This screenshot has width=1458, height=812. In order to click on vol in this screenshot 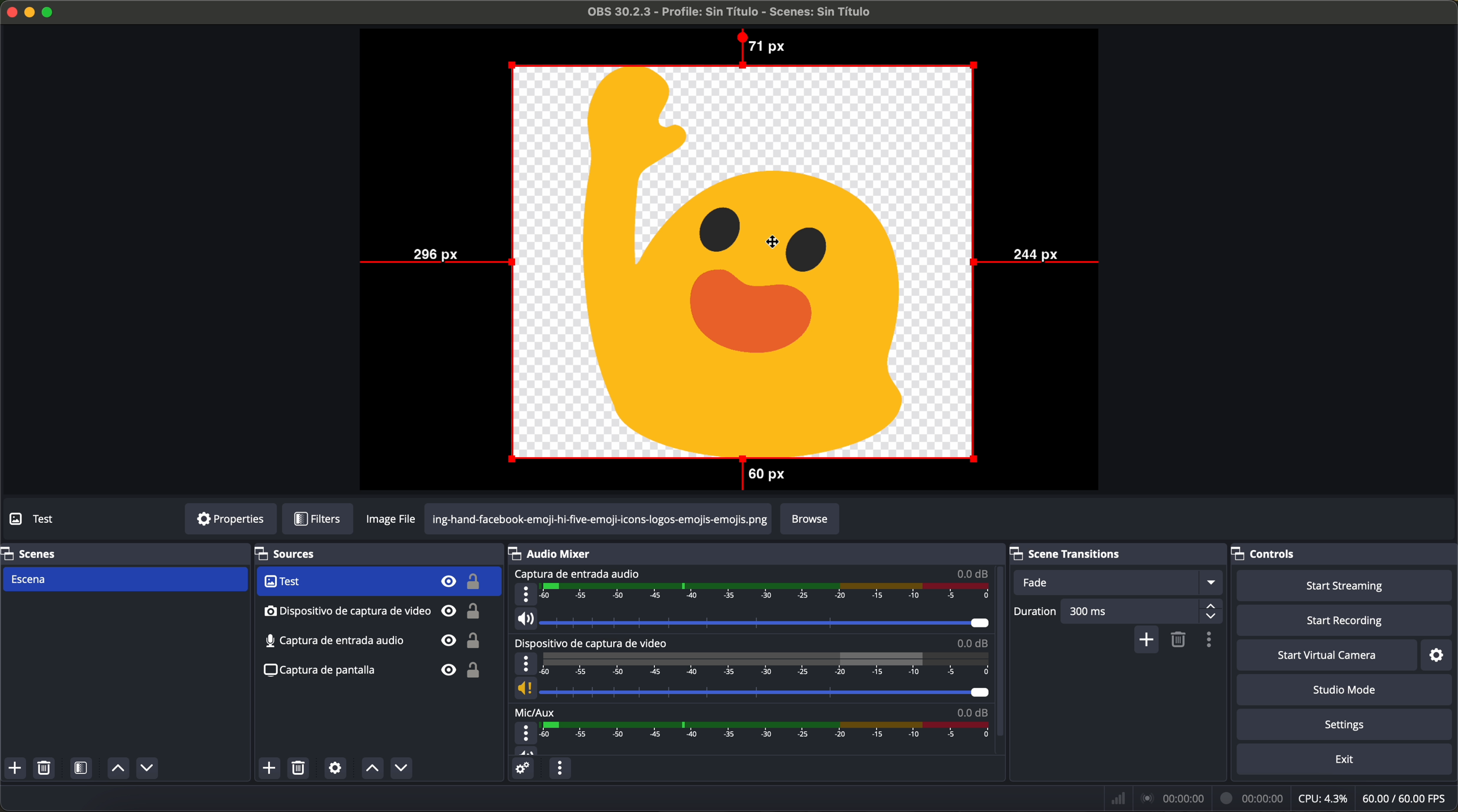, I will do `click(526, 750)`.